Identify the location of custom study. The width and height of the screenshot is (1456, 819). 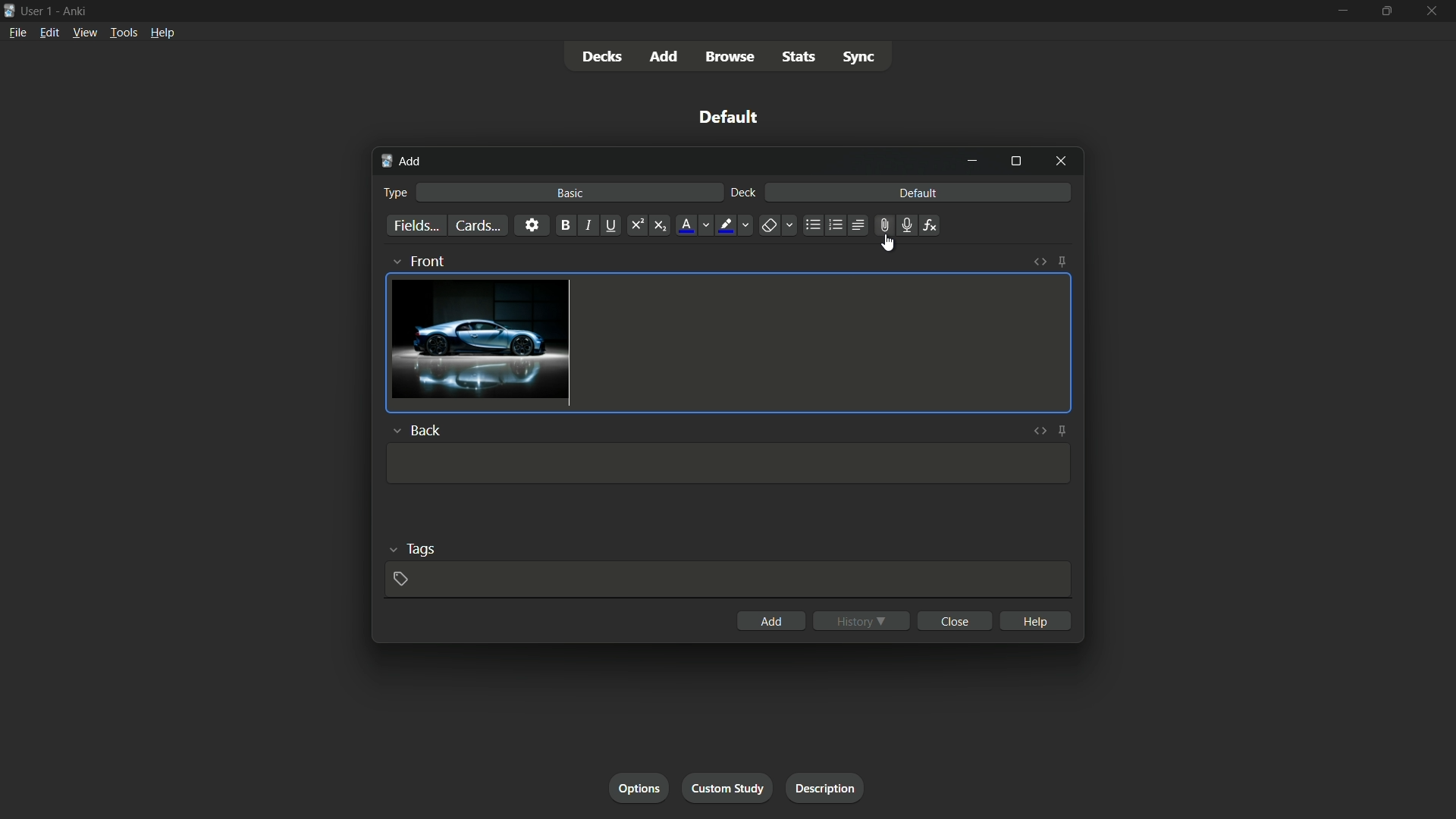
(730, 786).